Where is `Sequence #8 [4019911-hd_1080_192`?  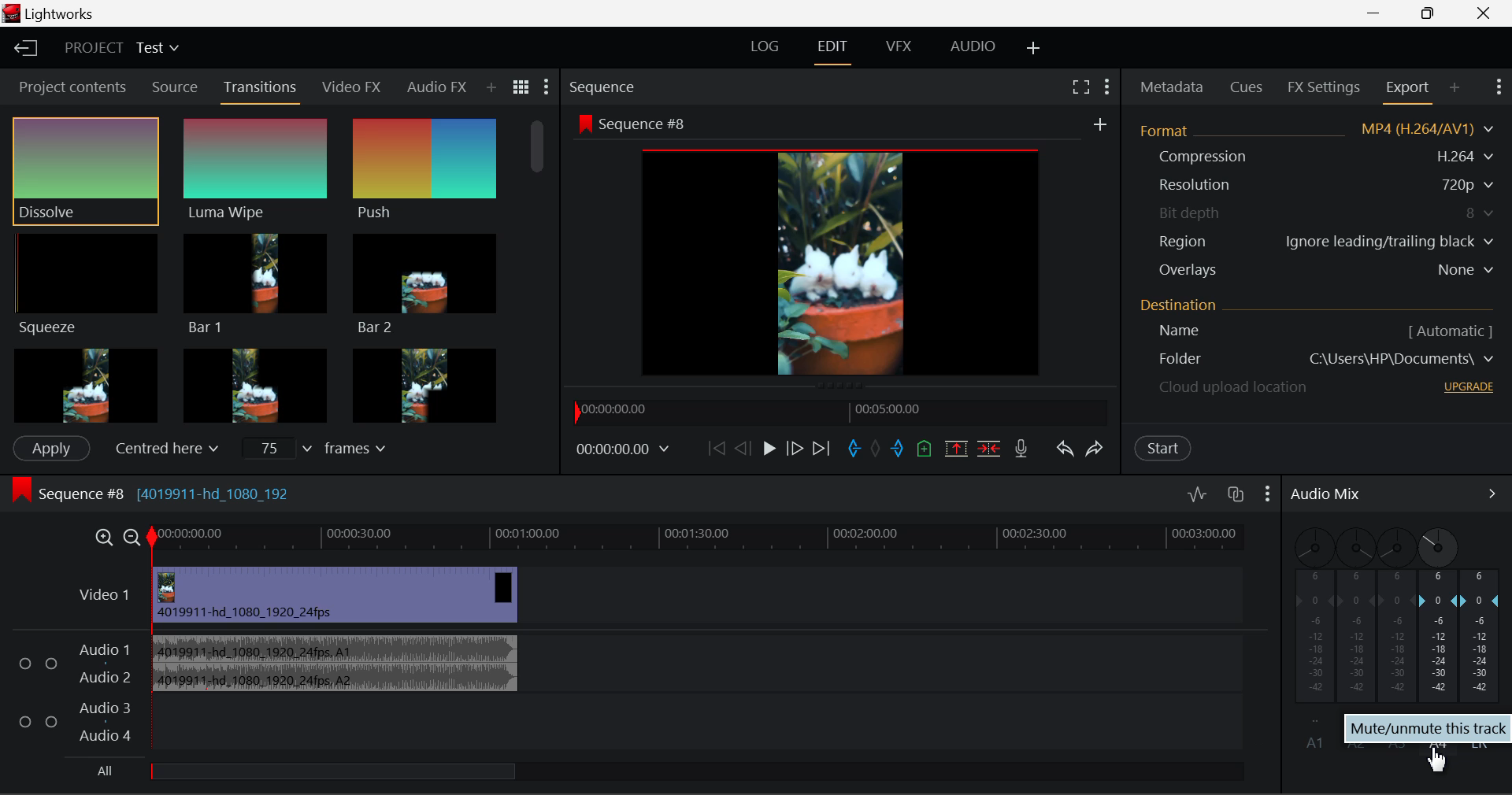
Sequence #8 [4019911-hd_1080_192 is located at coordinates (150, 493).